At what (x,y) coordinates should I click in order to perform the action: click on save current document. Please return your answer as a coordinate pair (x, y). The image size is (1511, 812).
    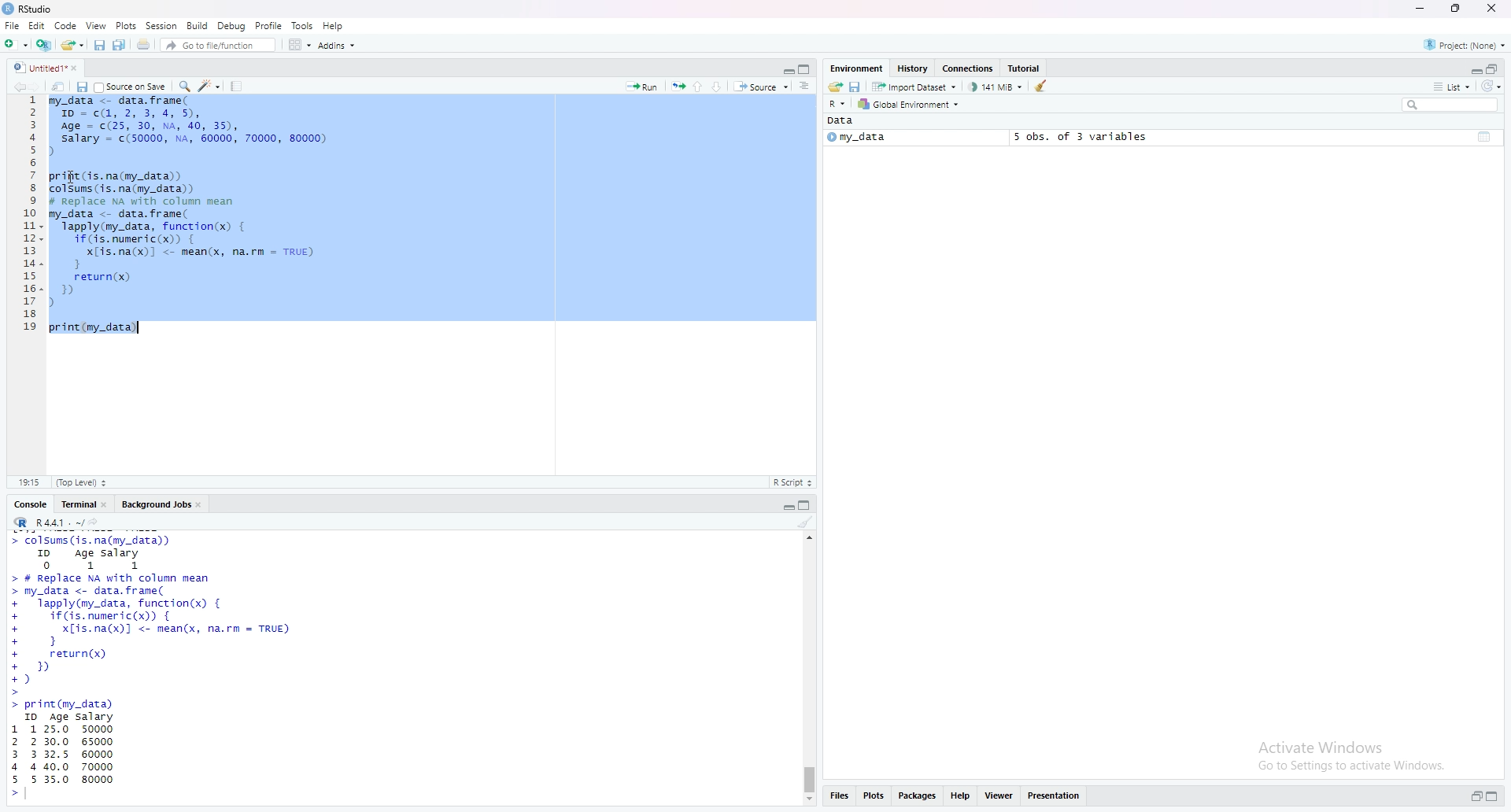
    Looking at the image, I should click on (98, 46).